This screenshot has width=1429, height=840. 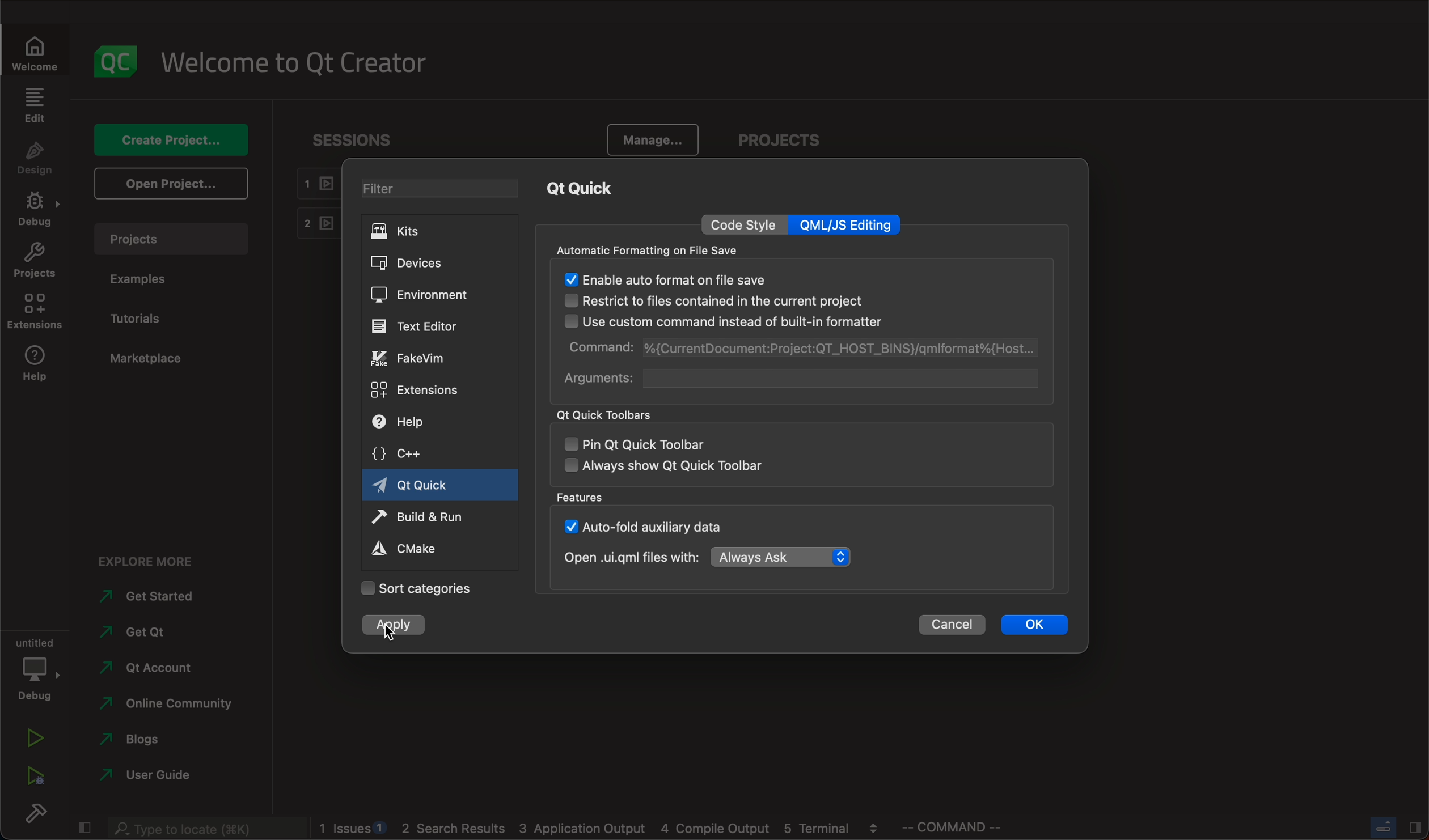 What do you see at coordinates (150, 561) in the screenshot?
I see `explore` at bounding box center [150, 561].